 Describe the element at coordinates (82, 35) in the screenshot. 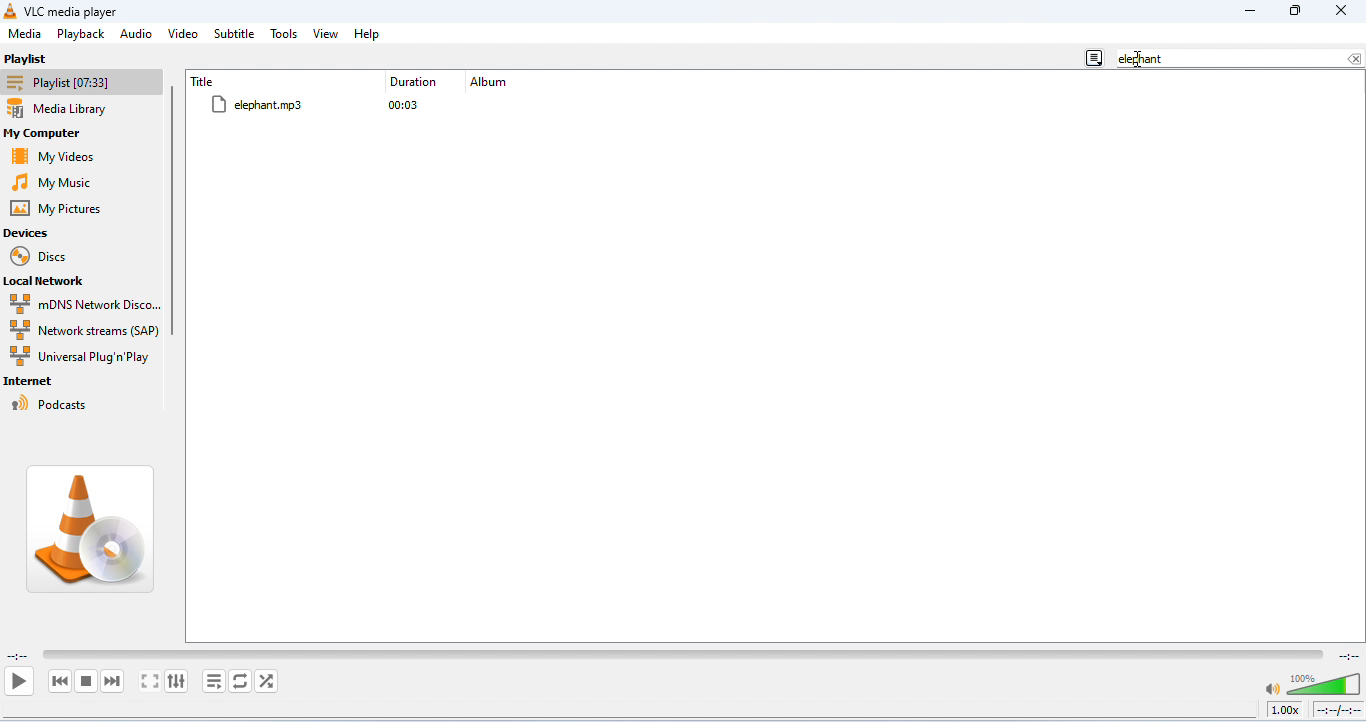

I see `playback` at that location.